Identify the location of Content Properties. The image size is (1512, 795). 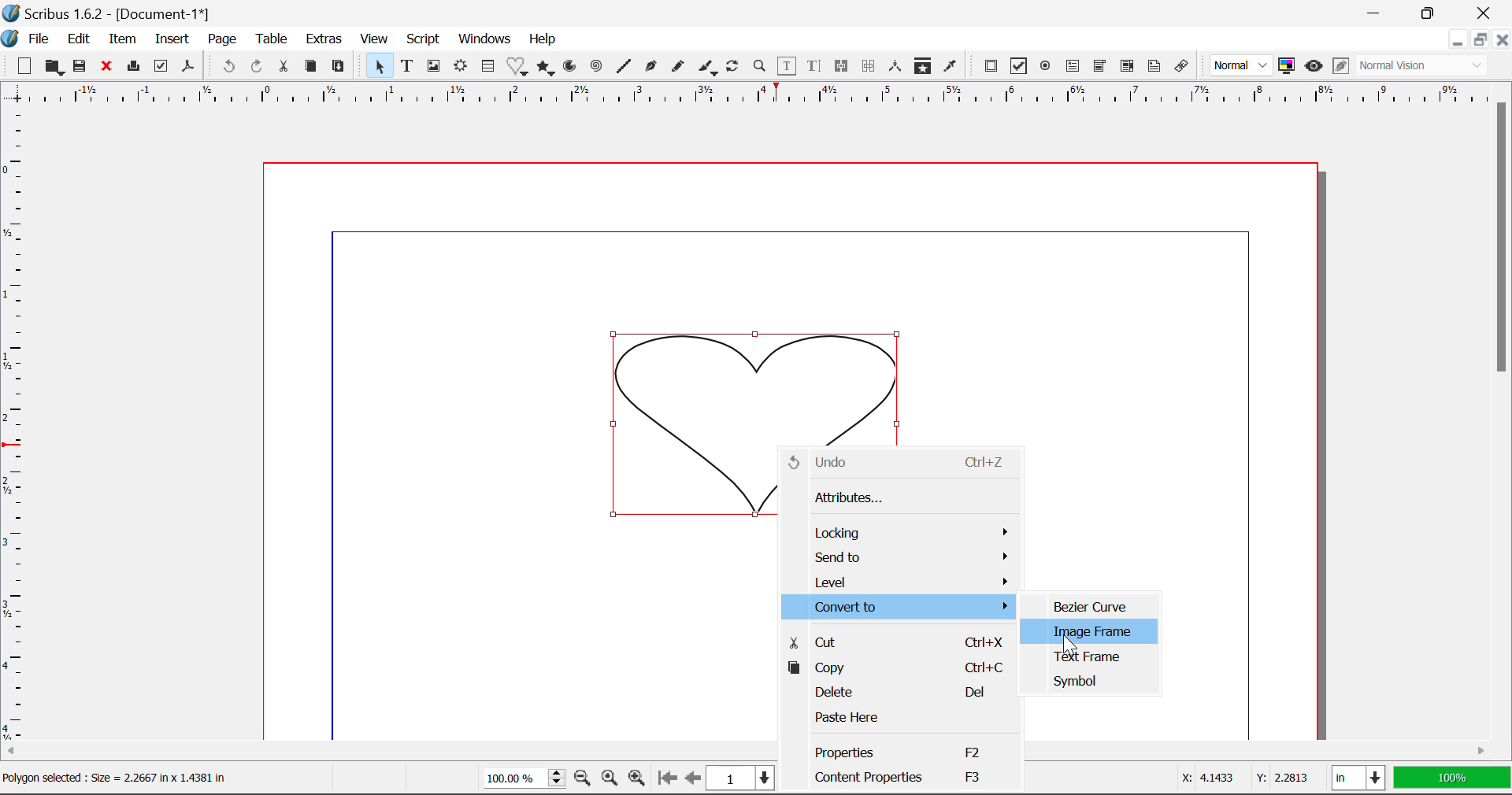
(899, 778).